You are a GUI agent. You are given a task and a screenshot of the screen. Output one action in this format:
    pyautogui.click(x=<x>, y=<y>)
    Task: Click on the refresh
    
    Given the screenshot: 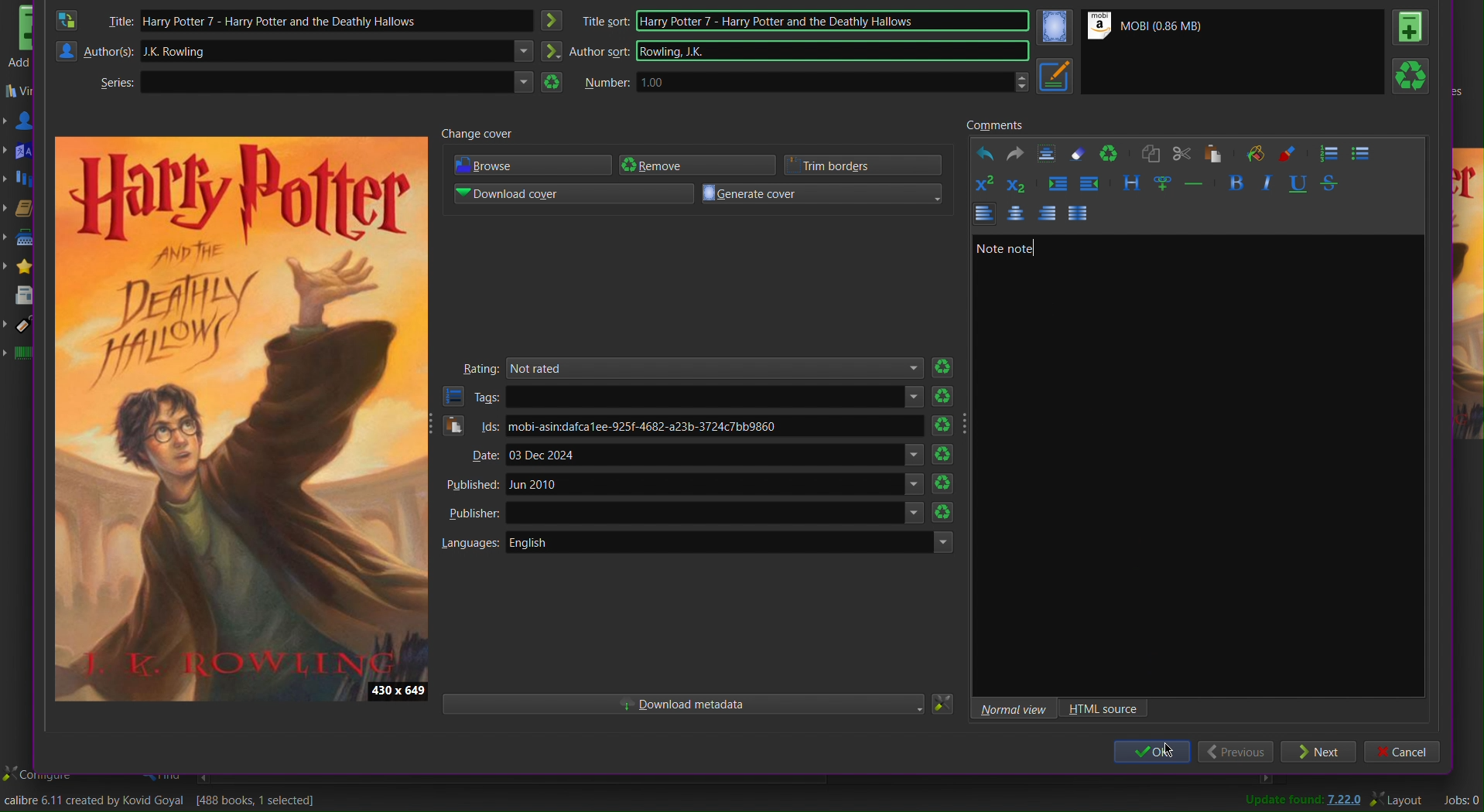 What is the action you would take?
    pyautogui.click(x=942, y=426)
    